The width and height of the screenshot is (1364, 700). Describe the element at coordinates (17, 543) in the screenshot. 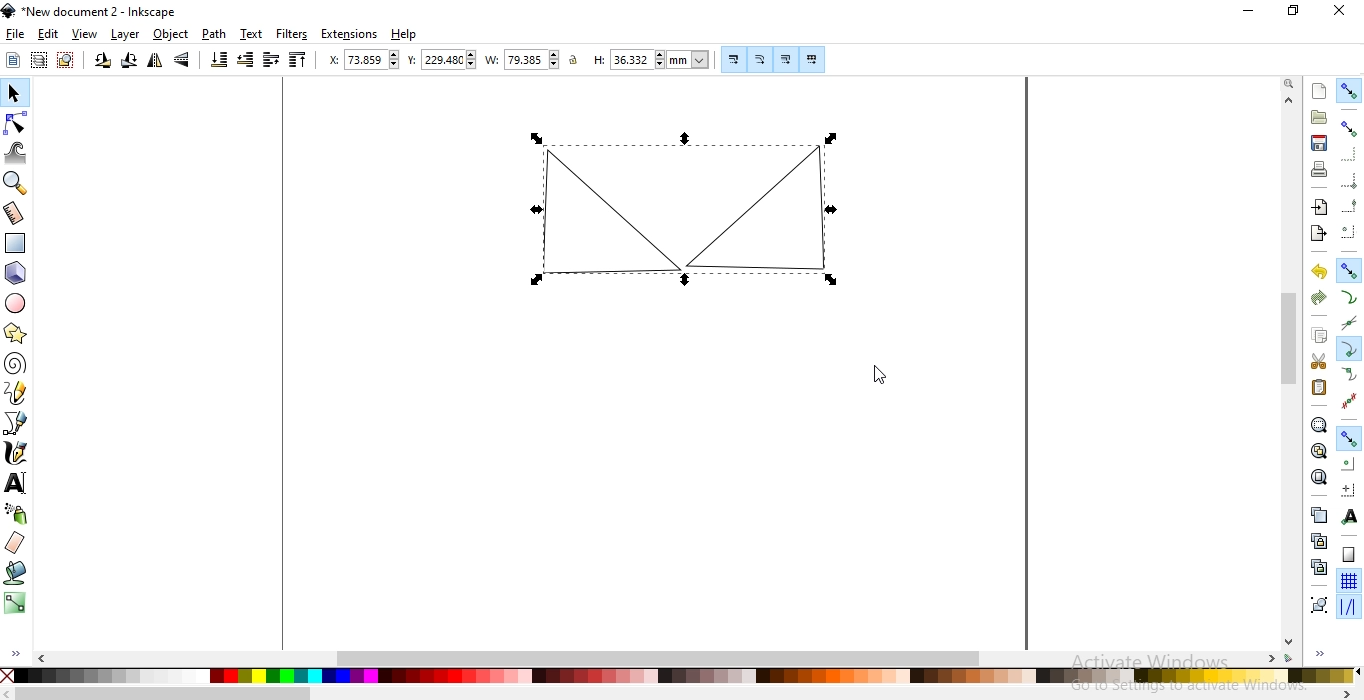

I see `erase existing paths` at that location.